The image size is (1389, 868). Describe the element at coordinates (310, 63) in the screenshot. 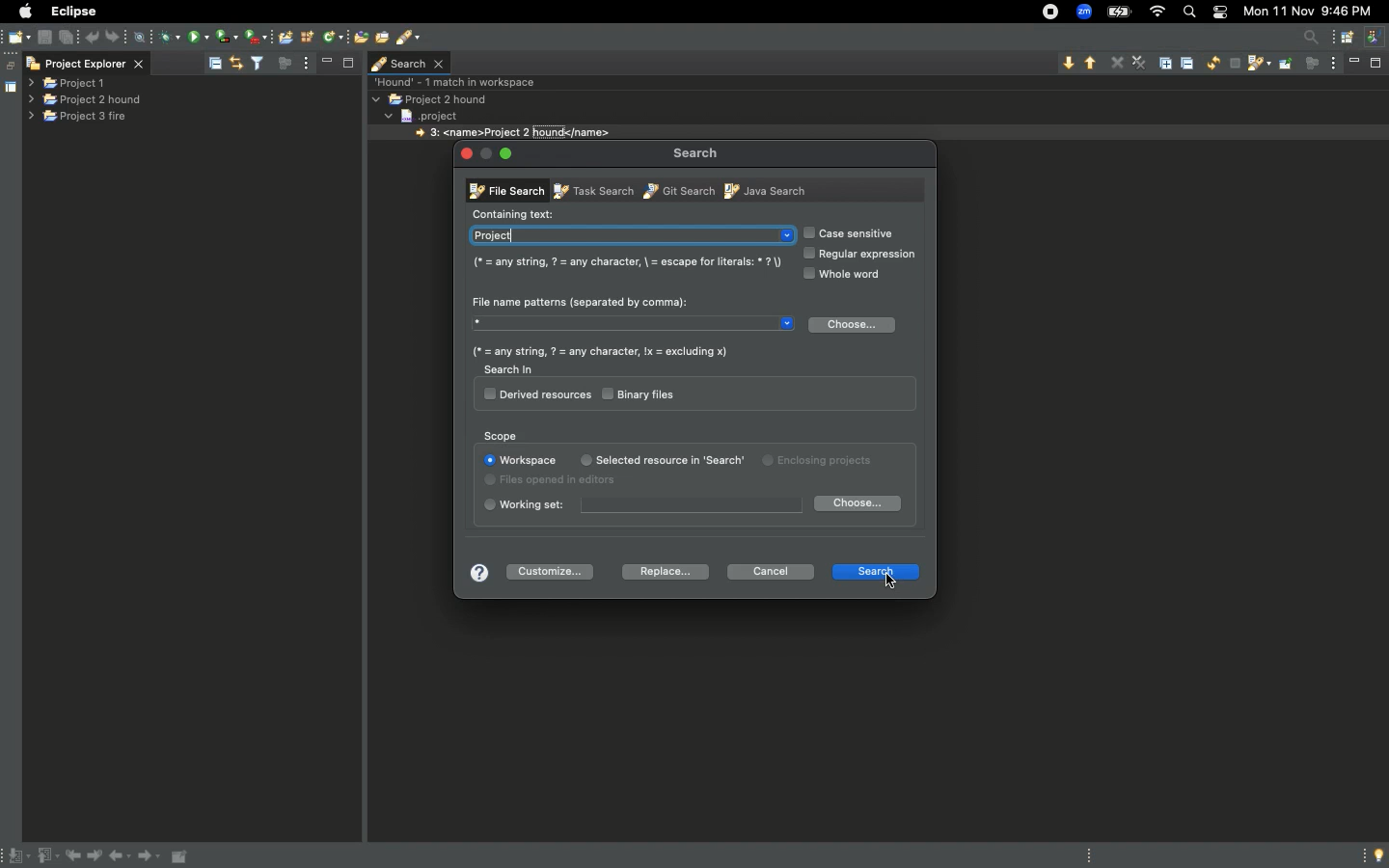

I see `view menu` at that location.